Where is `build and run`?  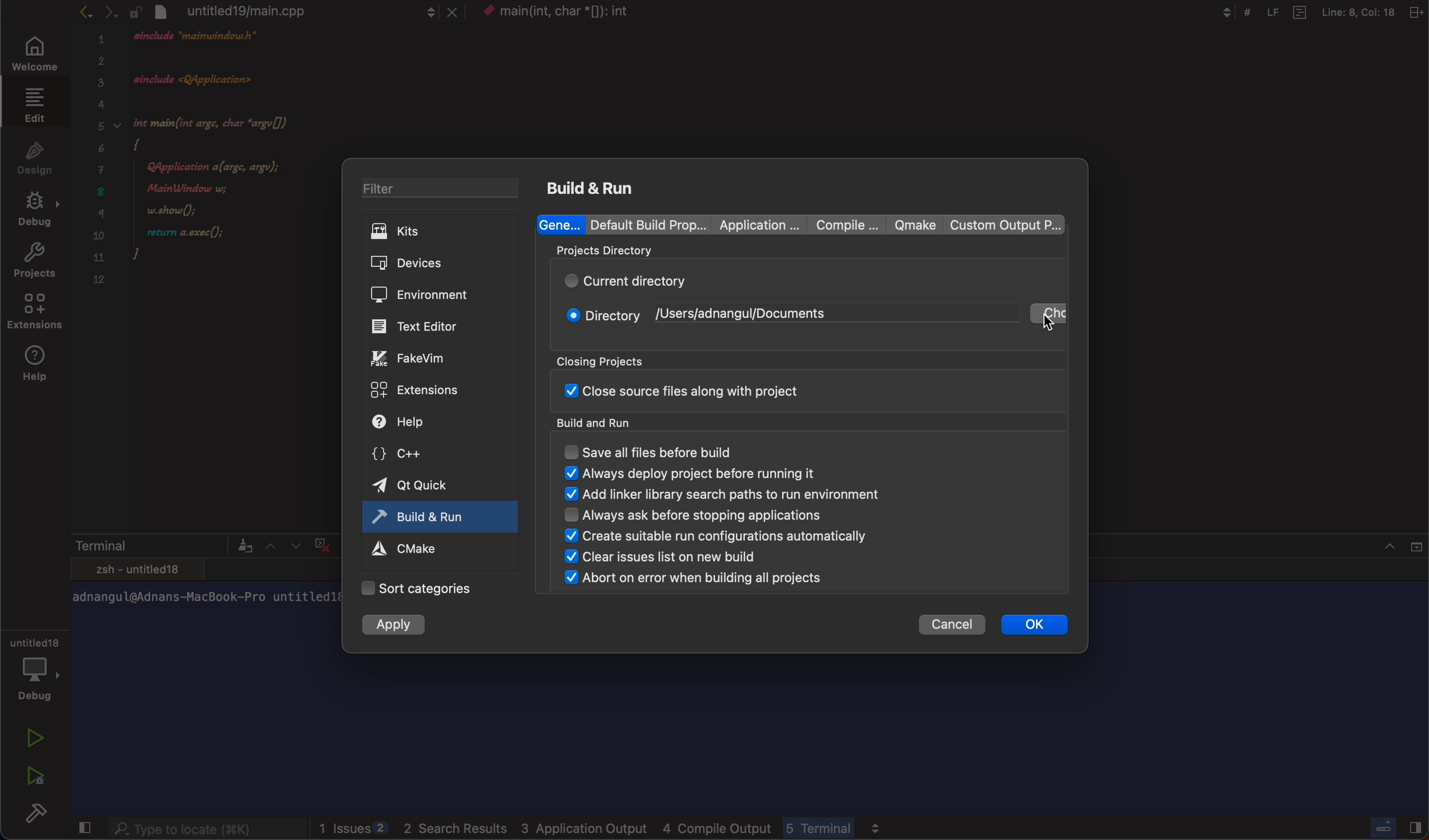 build and run is located at coordinates (590, 188).